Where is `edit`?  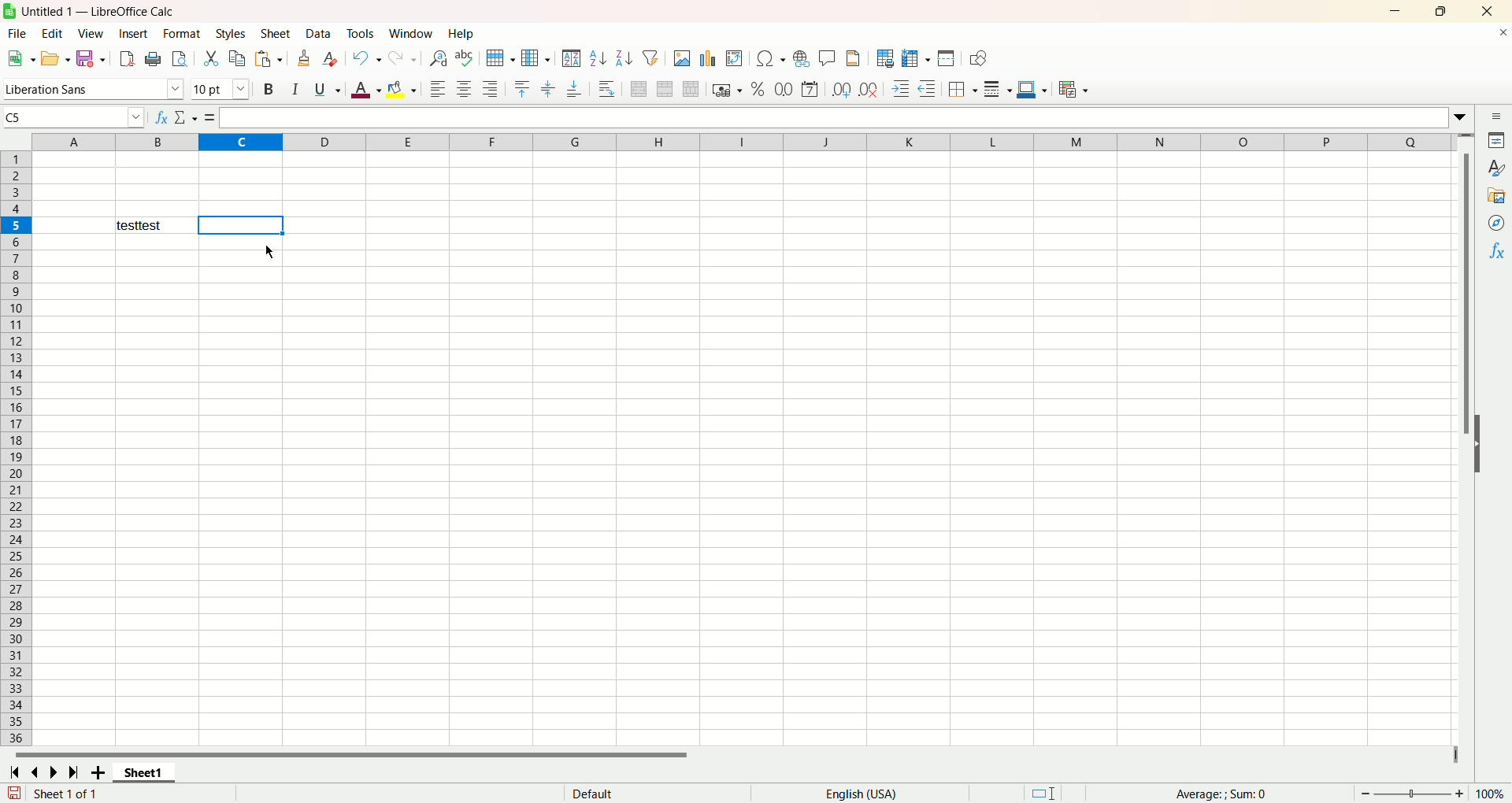
edit is located at coordinates (51, 31).